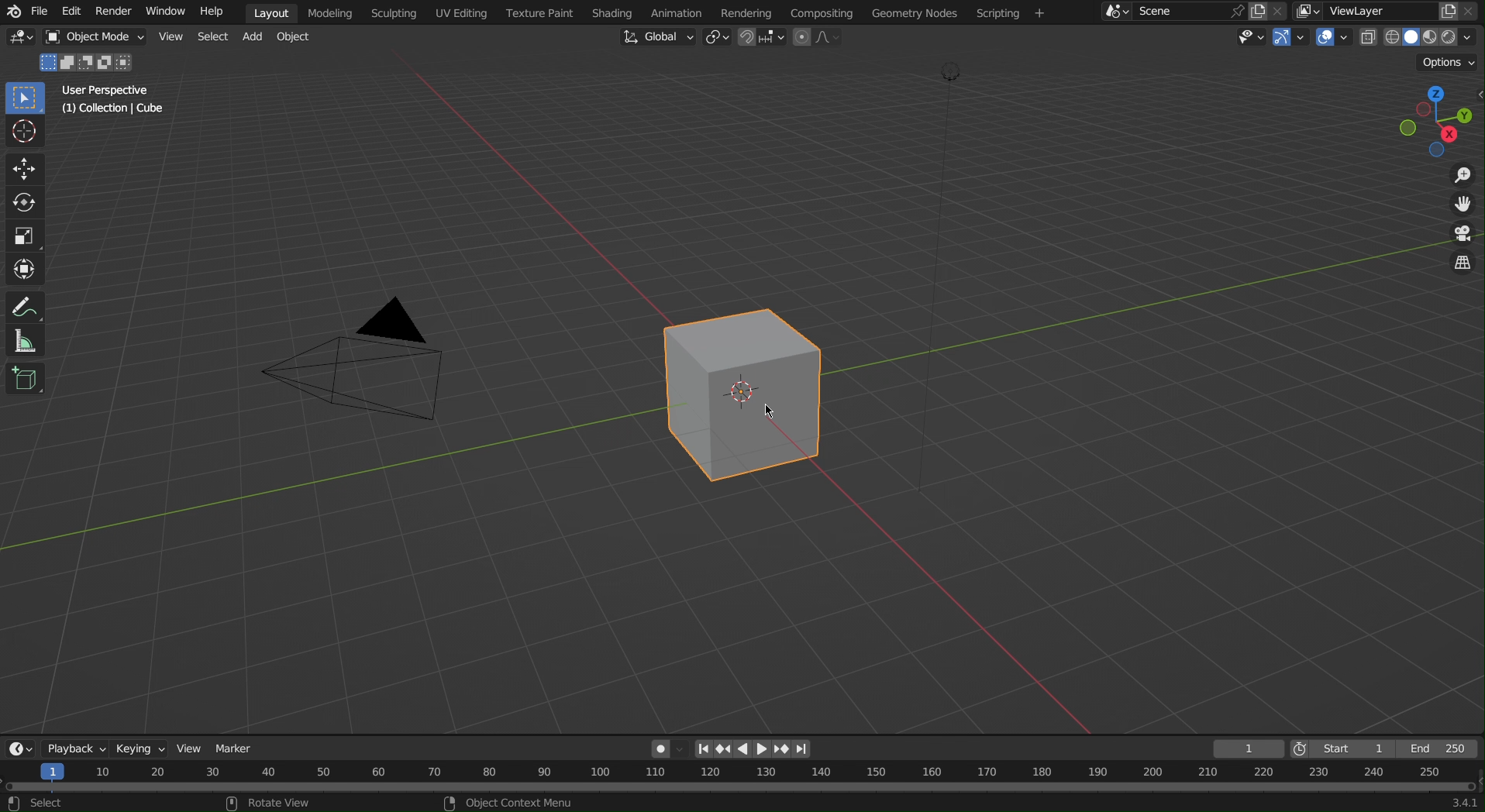 Image resolution: width=1485 pixels, height=812 pixels. Describe the element at coordinates (539, 13) in the screenshot. I see `Texture Paint` at that location.